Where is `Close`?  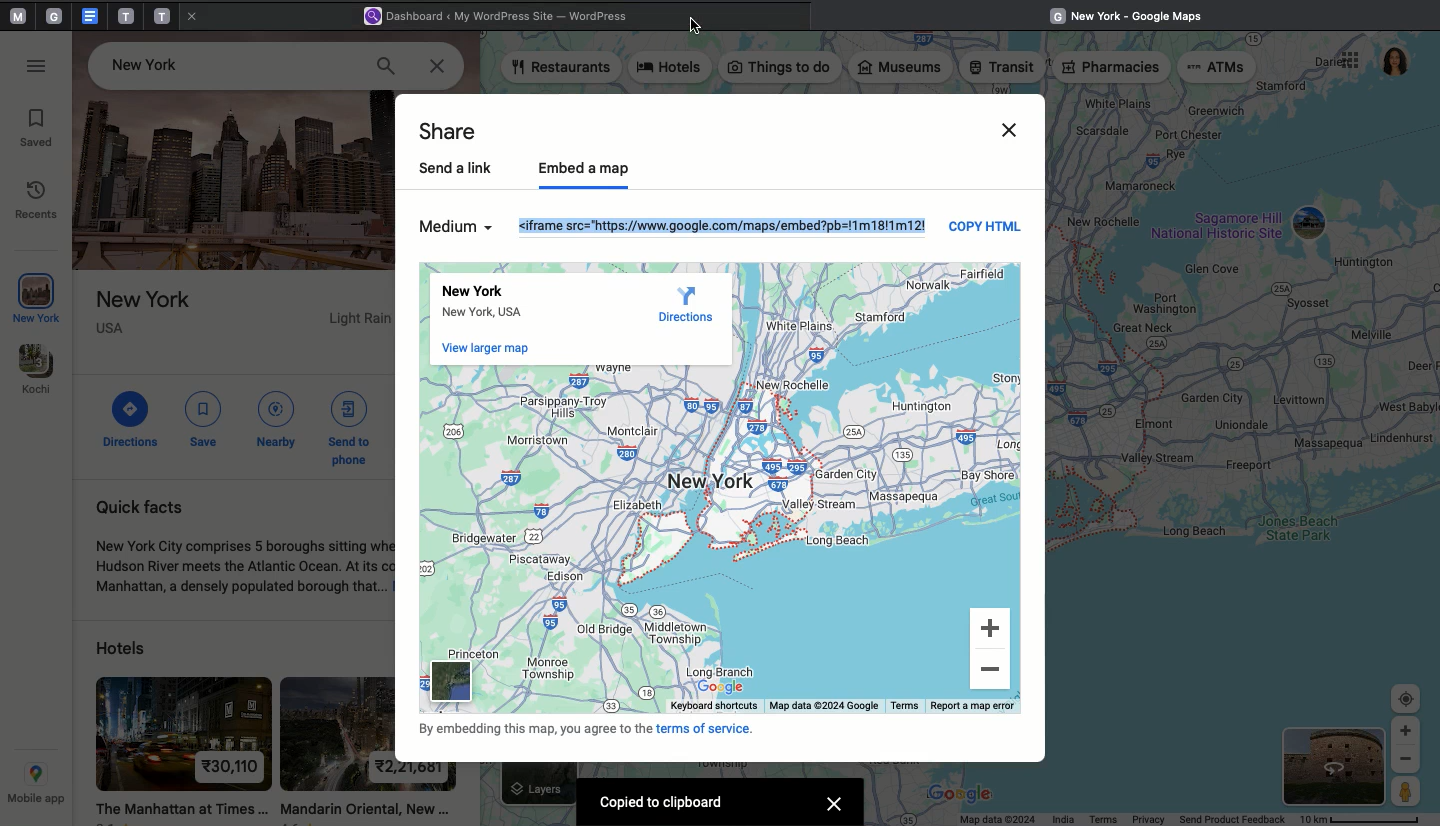 Close is located at coordinates (434, 66).